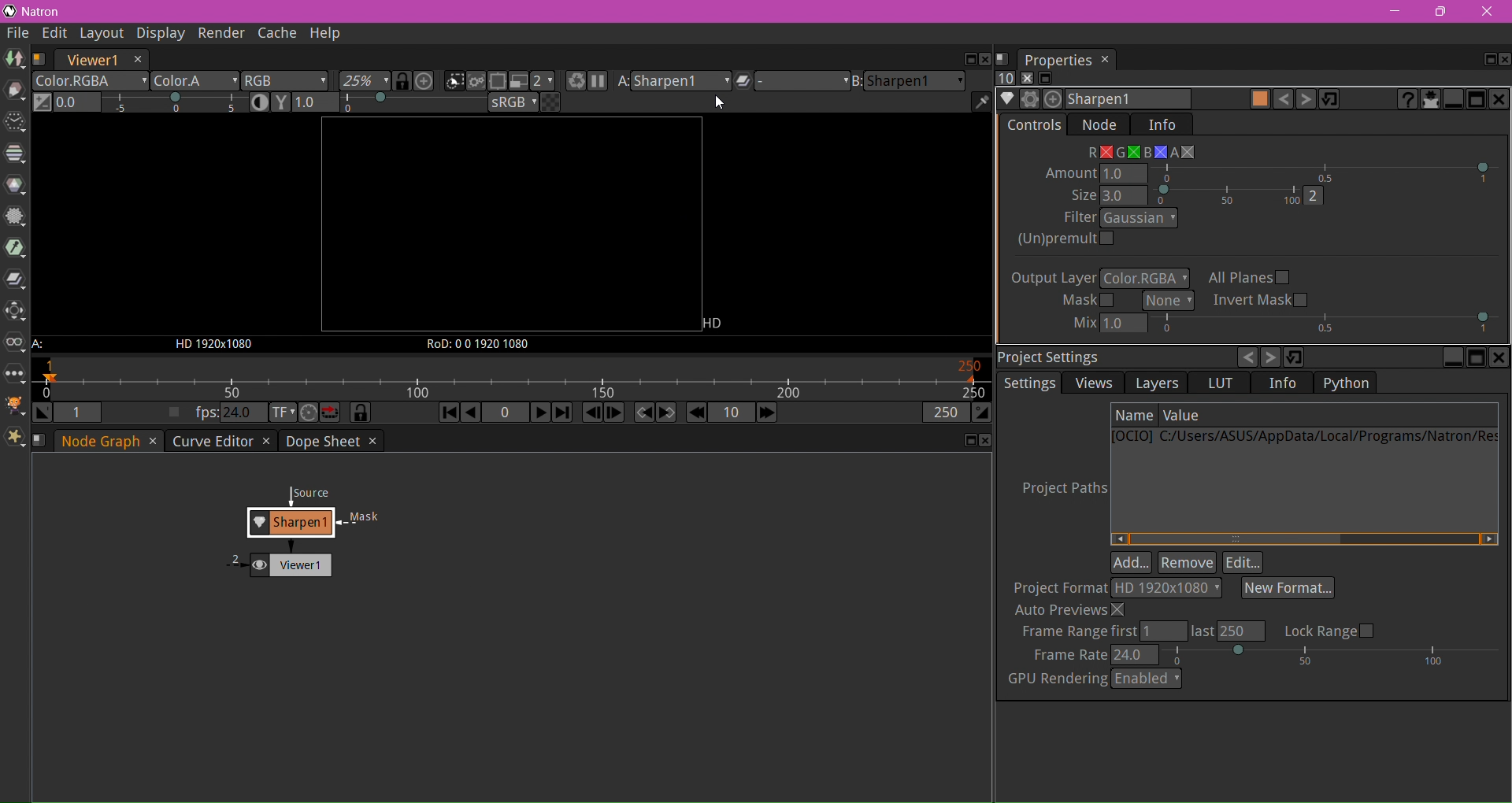 The width and height of the screenshot is (1512, 803). Describe the element at coordinates (1453, 358) in the screenshot. I see `minimize` at that location.